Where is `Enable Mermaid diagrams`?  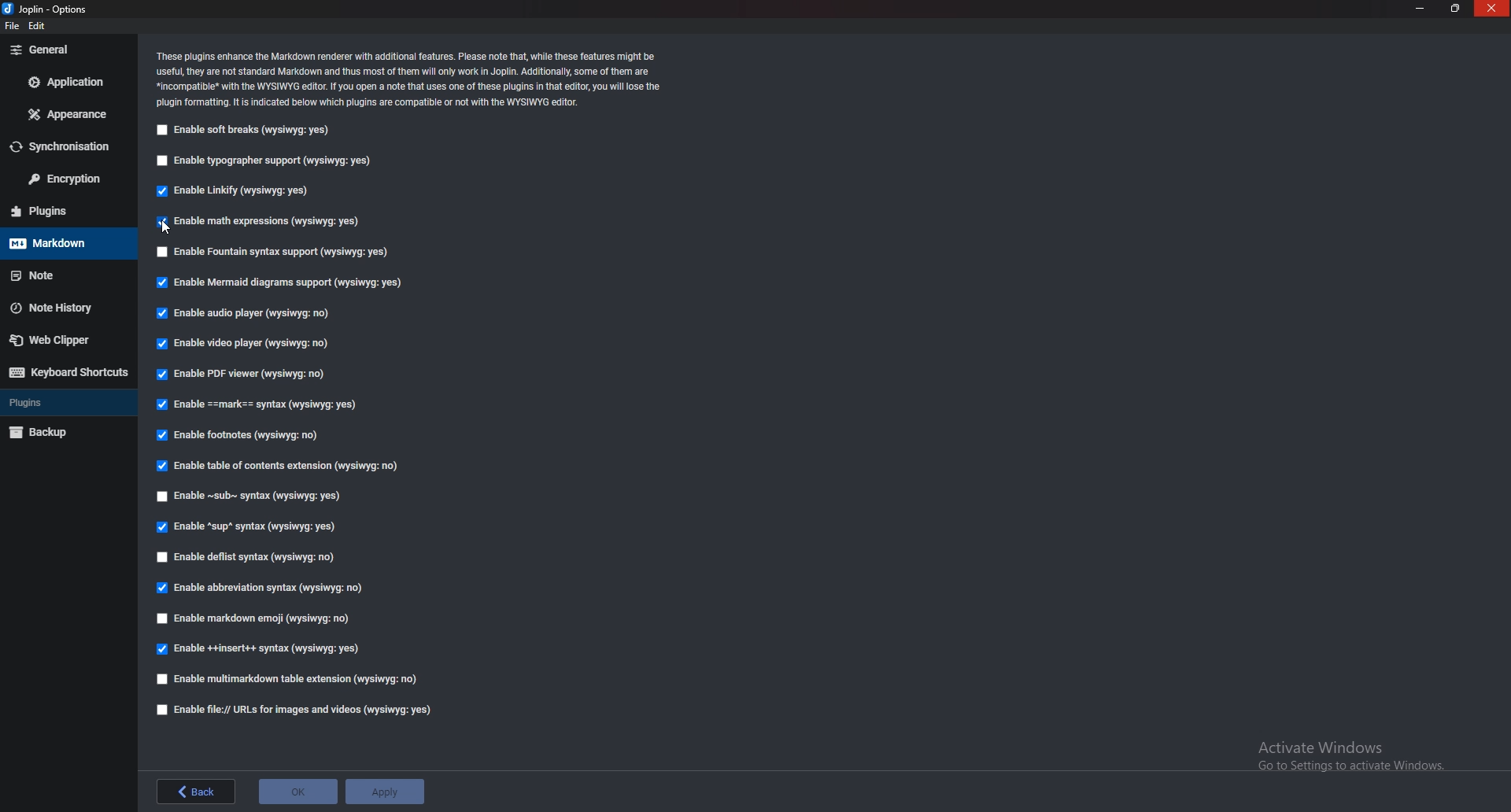
Enable Mermaid diagrams is located at coordinates (279, 282).